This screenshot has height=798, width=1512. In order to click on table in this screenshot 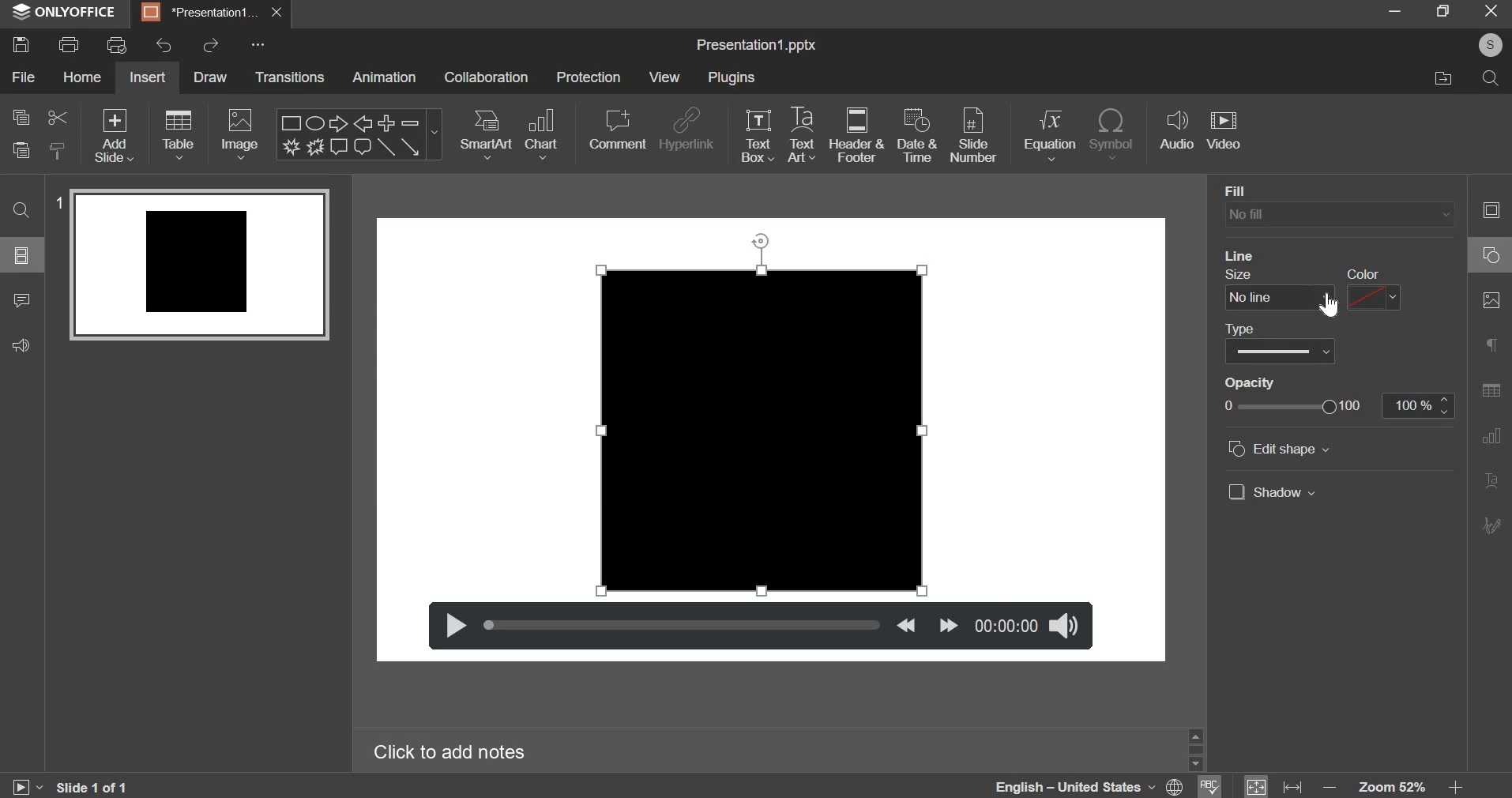, I will do `click(178, 138)`.